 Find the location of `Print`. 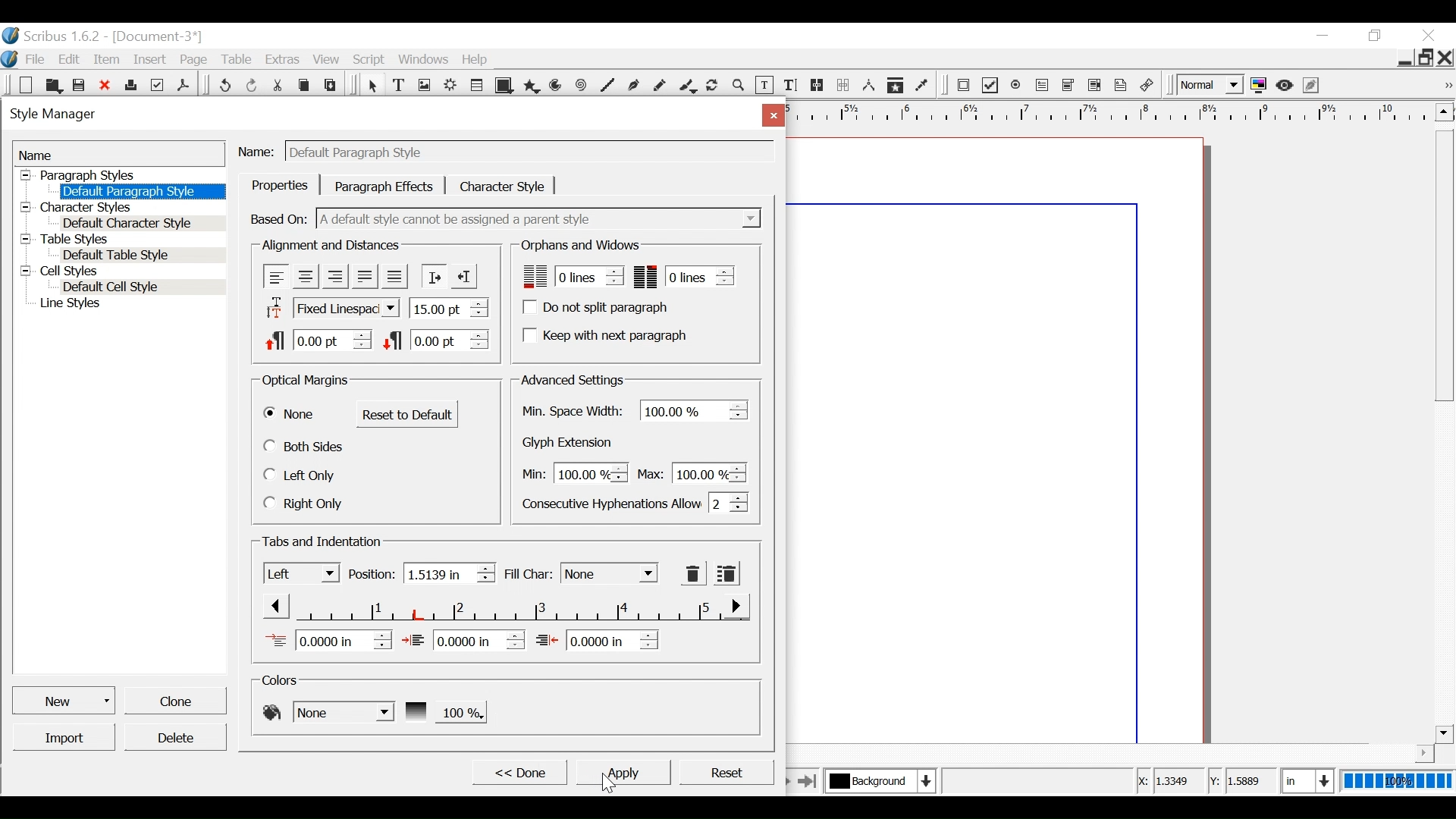

Print is located at coordinates (130, 83).